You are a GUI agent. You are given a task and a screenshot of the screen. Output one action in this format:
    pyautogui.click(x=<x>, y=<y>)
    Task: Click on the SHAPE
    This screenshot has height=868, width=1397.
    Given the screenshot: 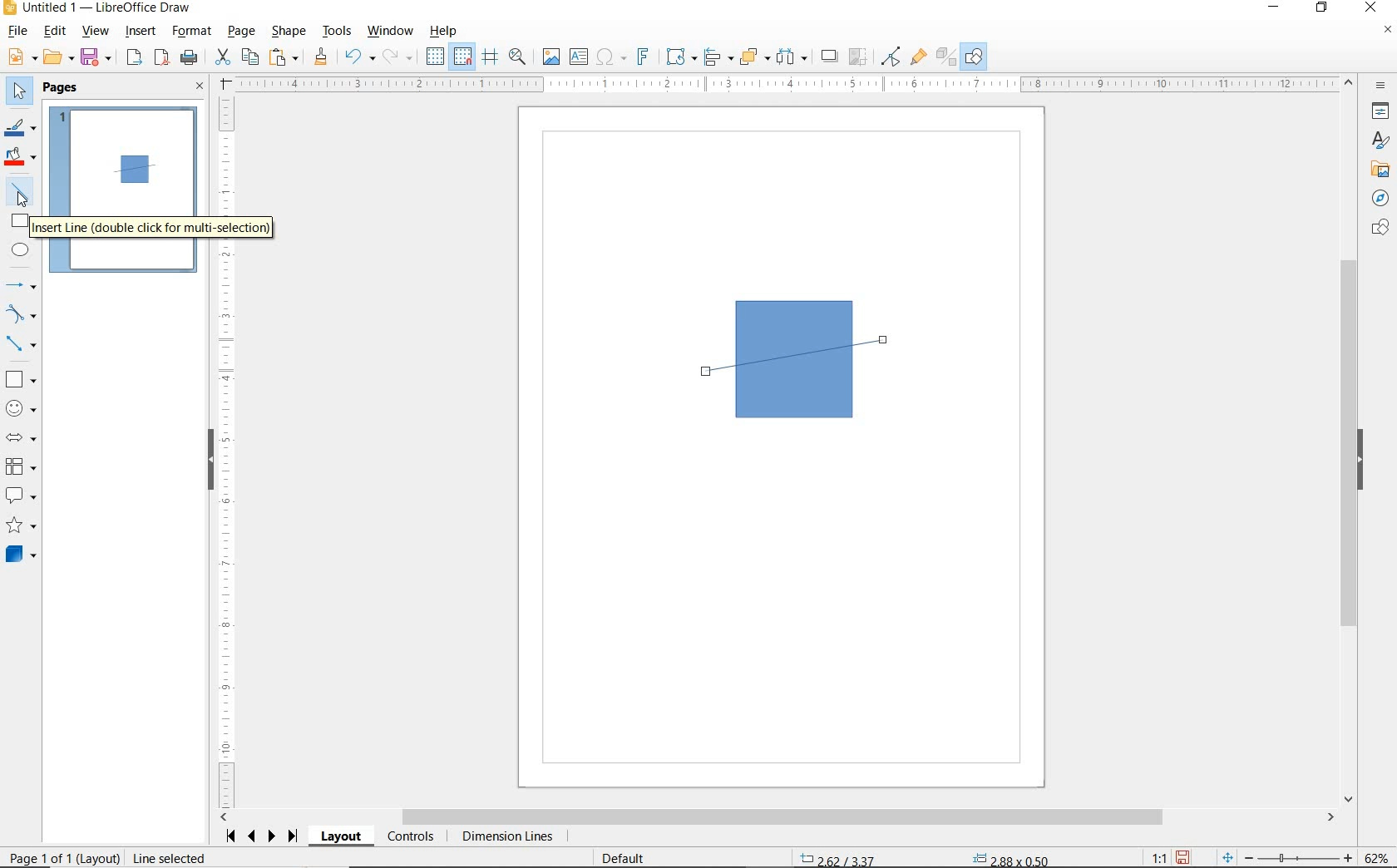 What is the action you would take?
    pyautogui.click(x=289, y=32)
    